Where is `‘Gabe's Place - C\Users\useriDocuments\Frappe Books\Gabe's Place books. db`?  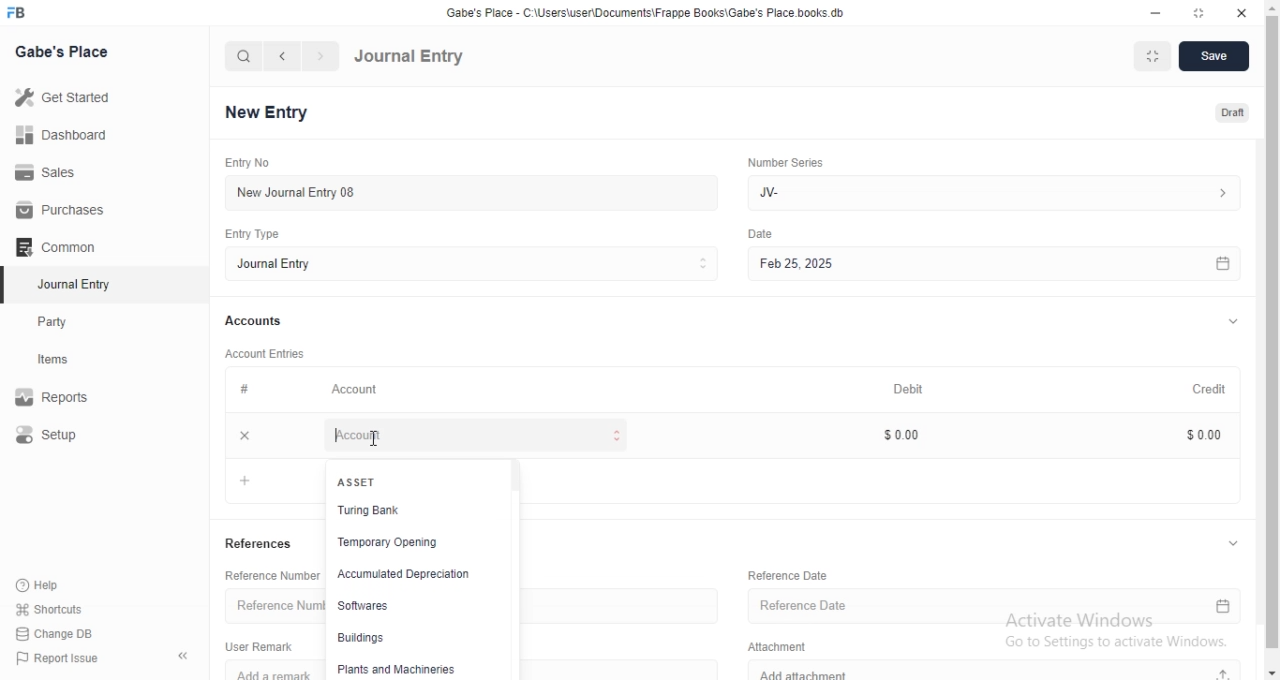
‘Gabe's Place - C\Users\useriDocuments\Frappe Books\Gabe's Place books. db is located at coordinates (650, 10).